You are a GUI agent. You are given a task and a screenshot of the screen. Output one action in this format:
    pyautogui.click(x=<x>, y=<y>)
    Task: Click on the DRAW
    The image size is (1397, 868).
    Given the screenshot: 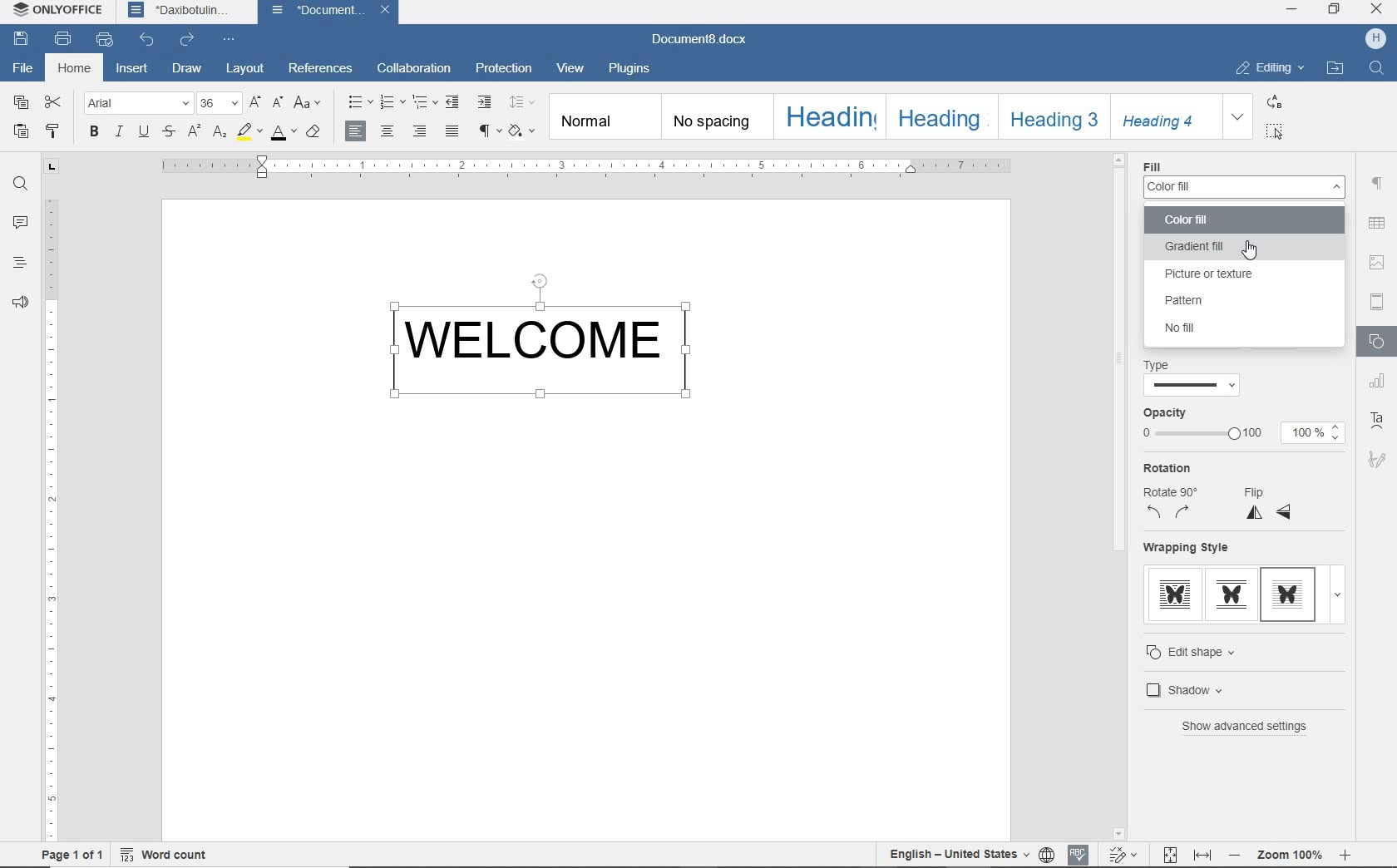 What is the action you would take?
    pyautogui.click(x=186, y=70)
    